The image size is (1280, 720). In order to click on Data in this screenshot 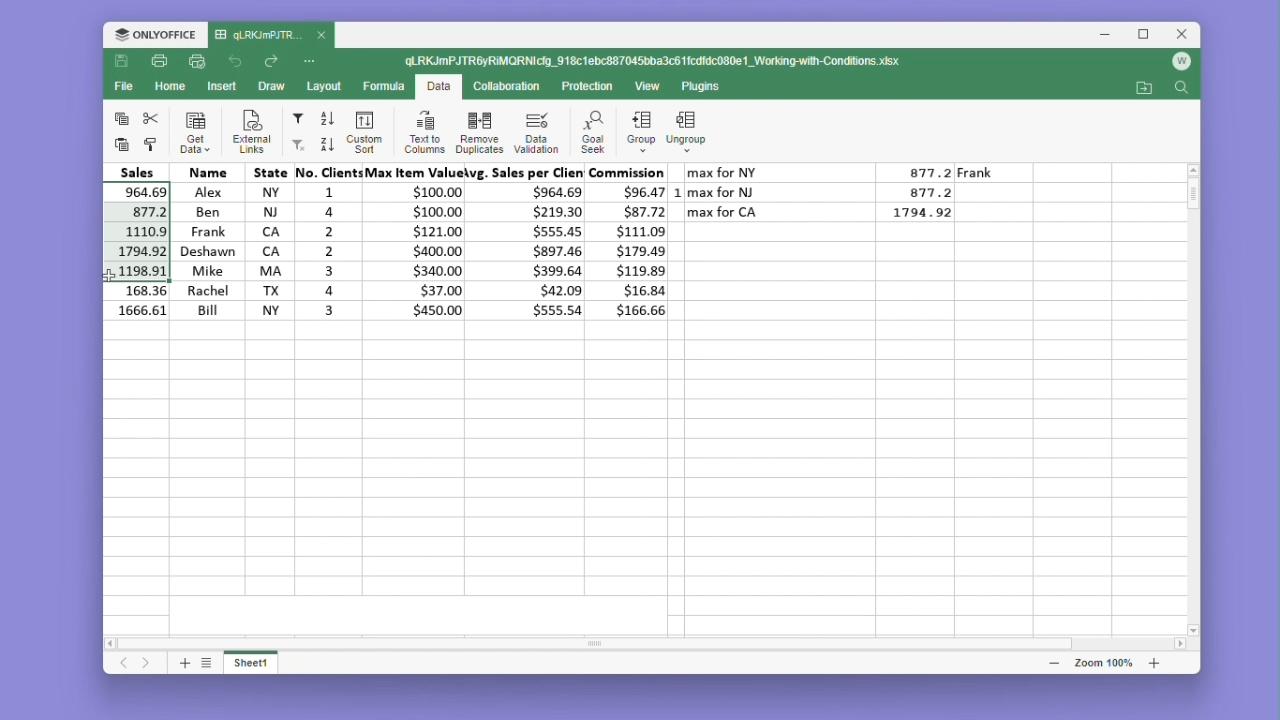, I will do `click(438, 88)`.